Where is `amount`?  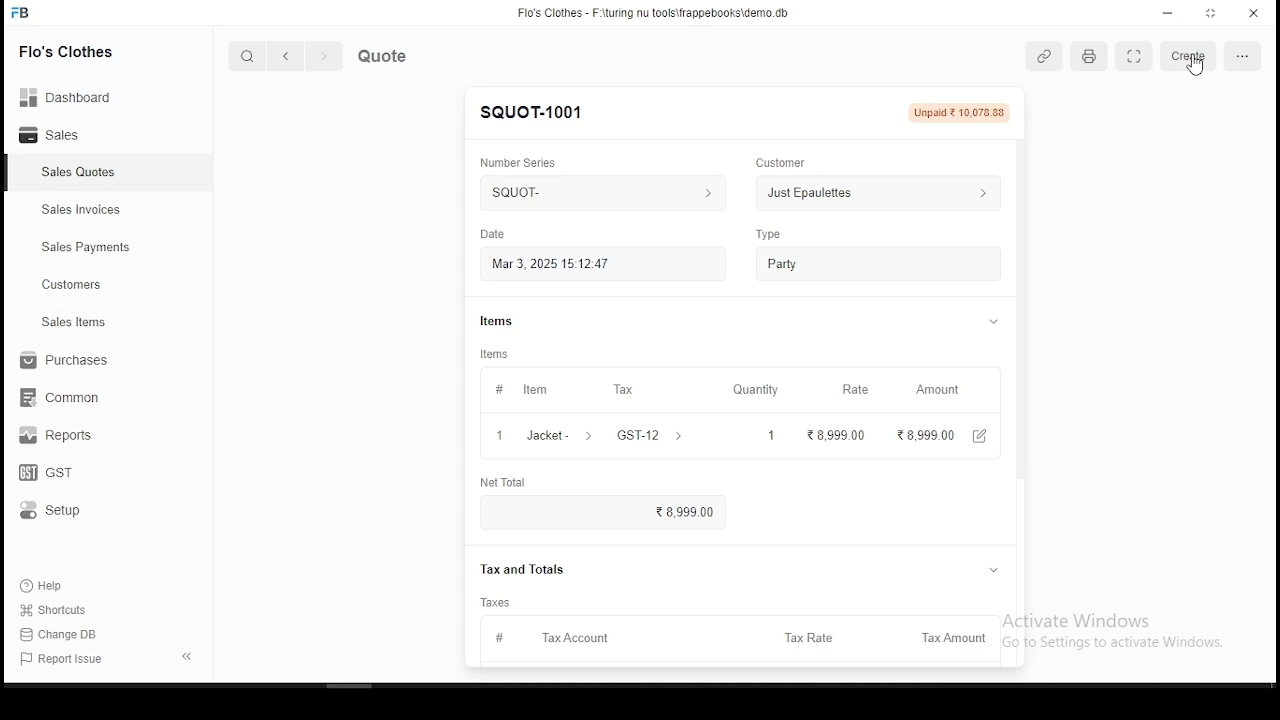
amount is located at coordinates (942, 390).